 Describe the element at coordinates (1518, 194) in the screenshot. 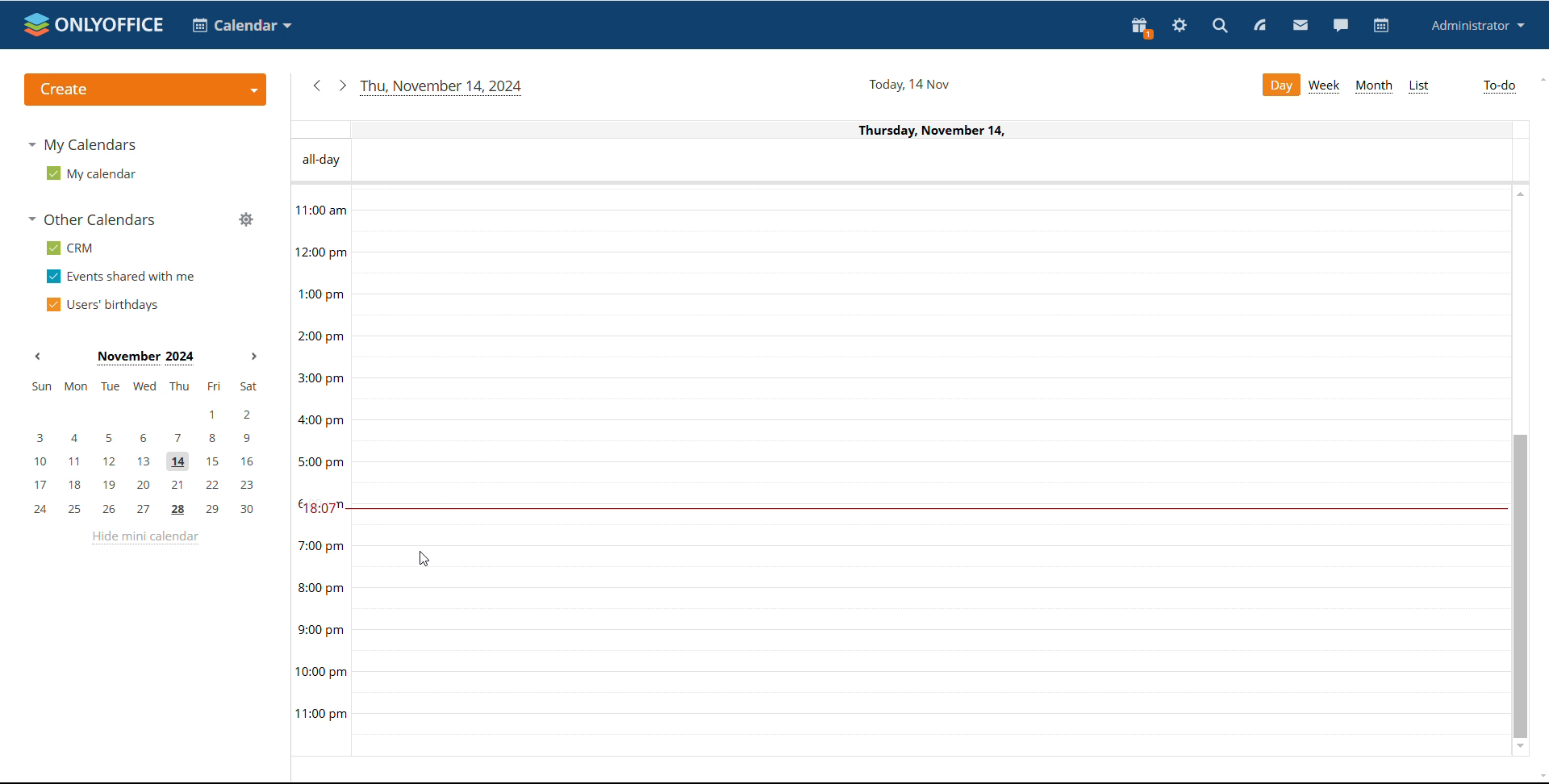

I see `scroll up` at that location.